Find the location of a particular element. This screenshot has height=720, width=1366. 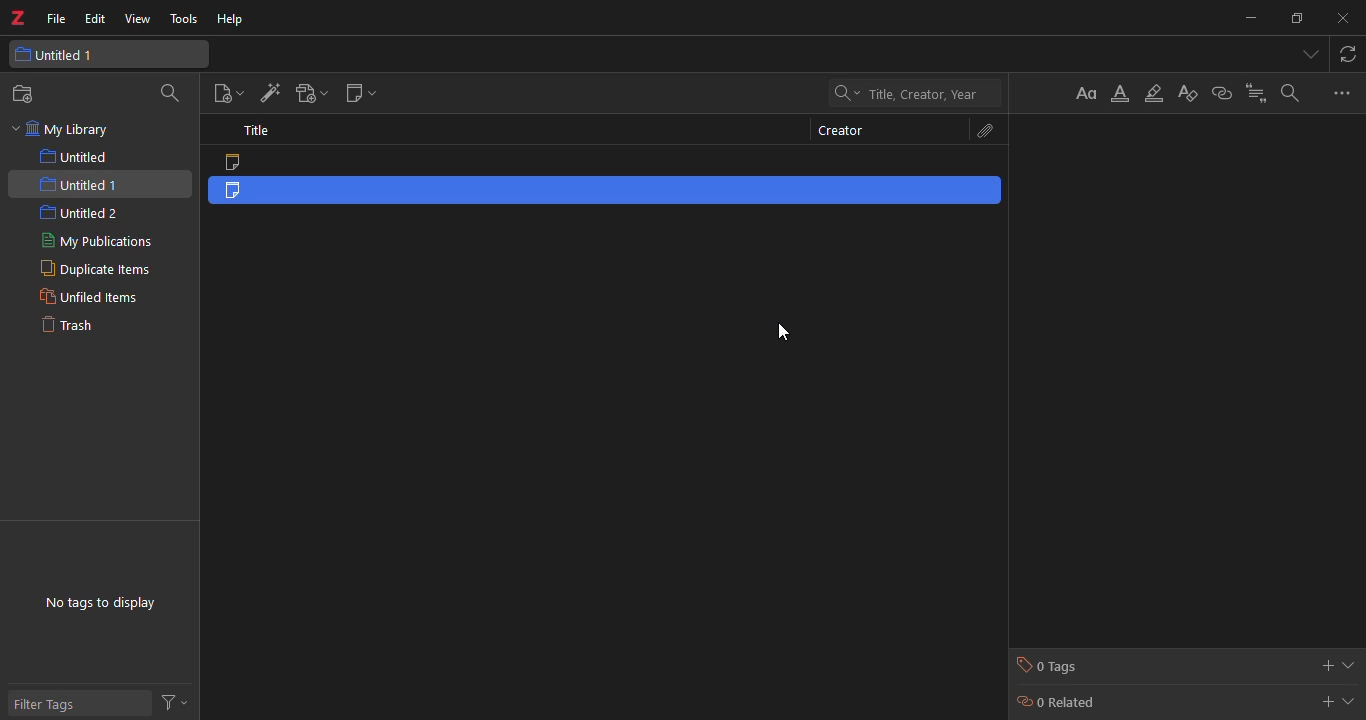

untitled is located at coordinates (79, 157).